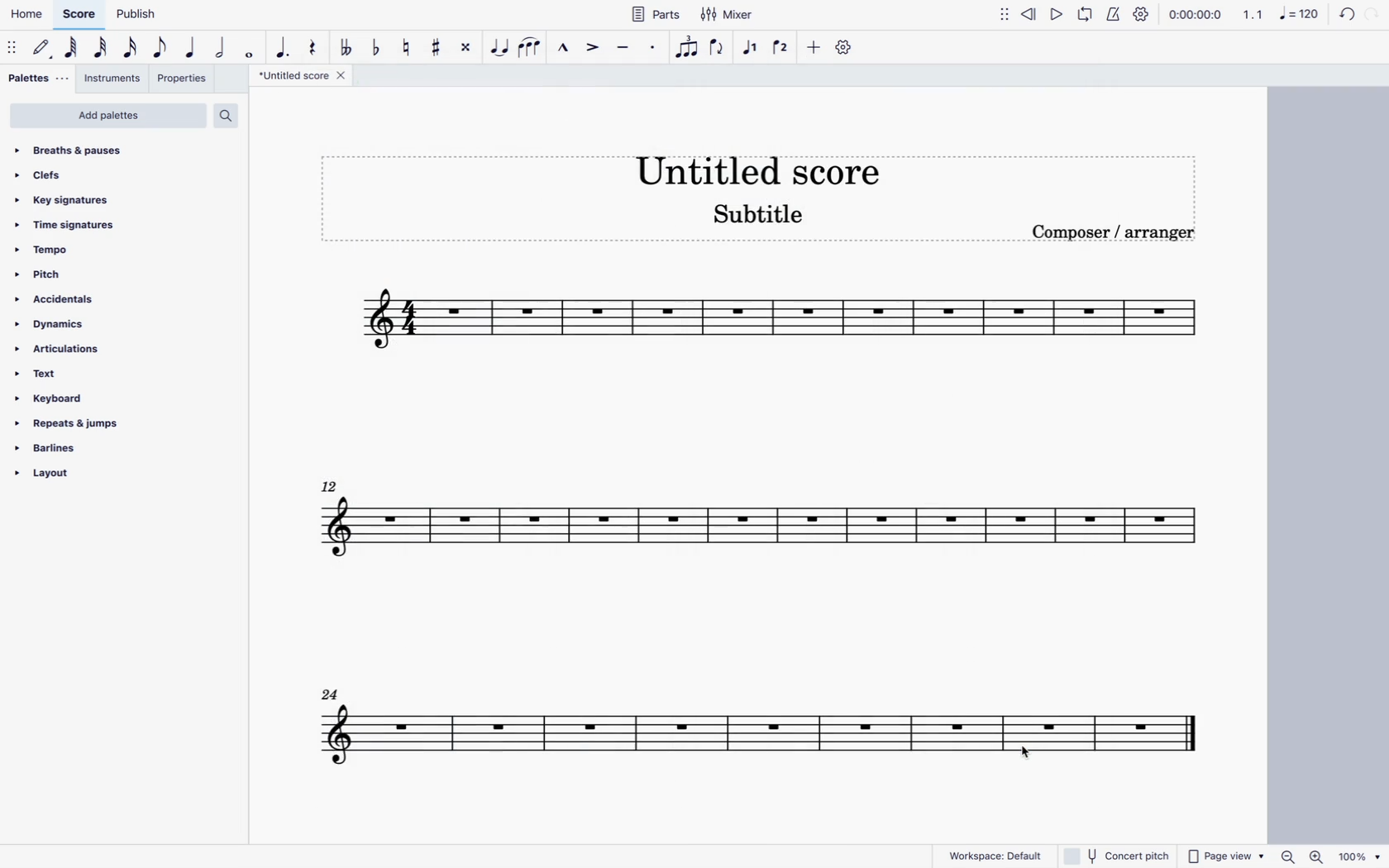 This screenshot has width=1389, height=868. Describe the element at coordinates (1300, 856) in the screenshot. I see `Zoom in/out` at that location.